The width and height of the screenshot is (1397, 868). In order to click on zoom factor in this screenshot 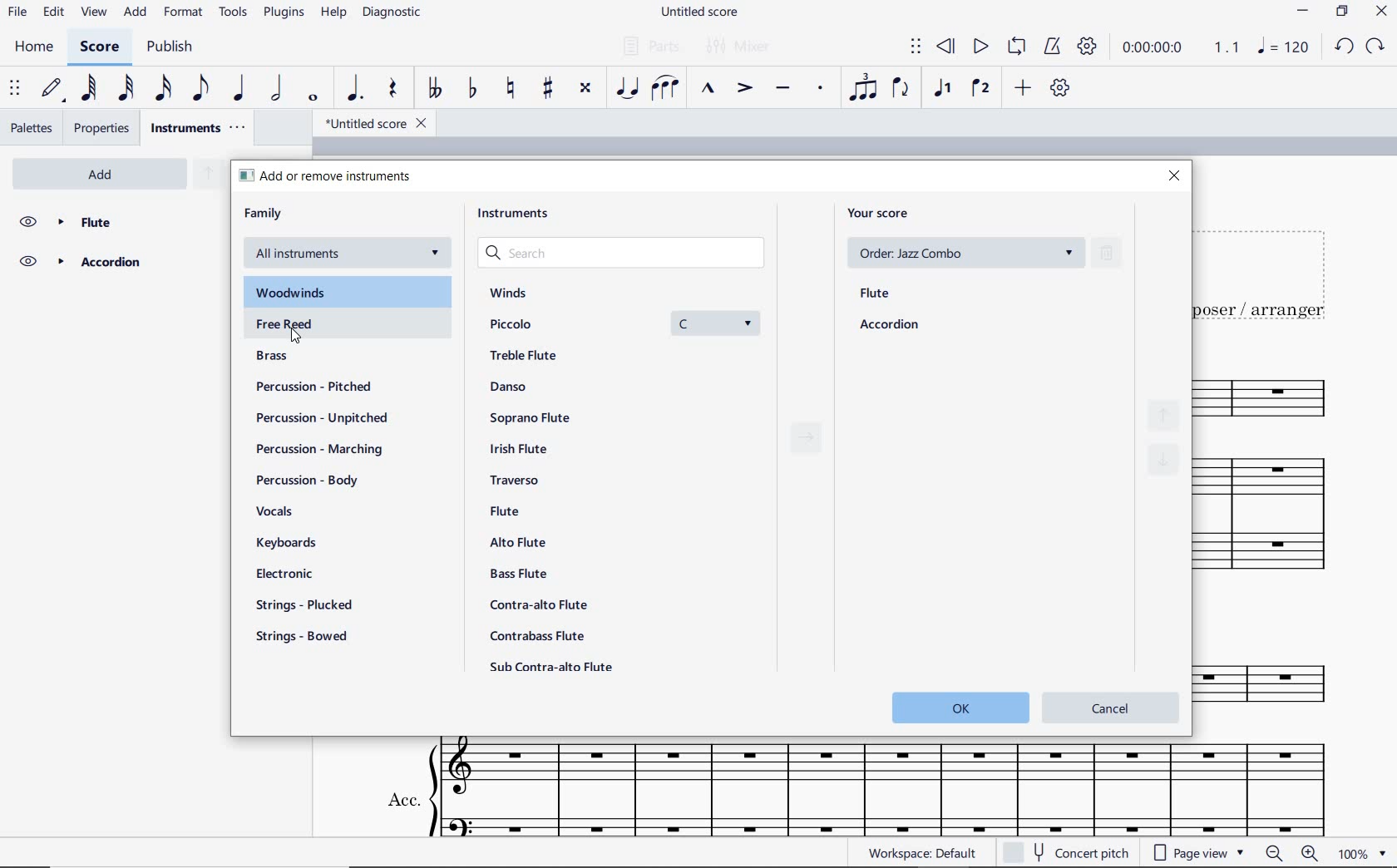, I will do `click(1350, 855)`.